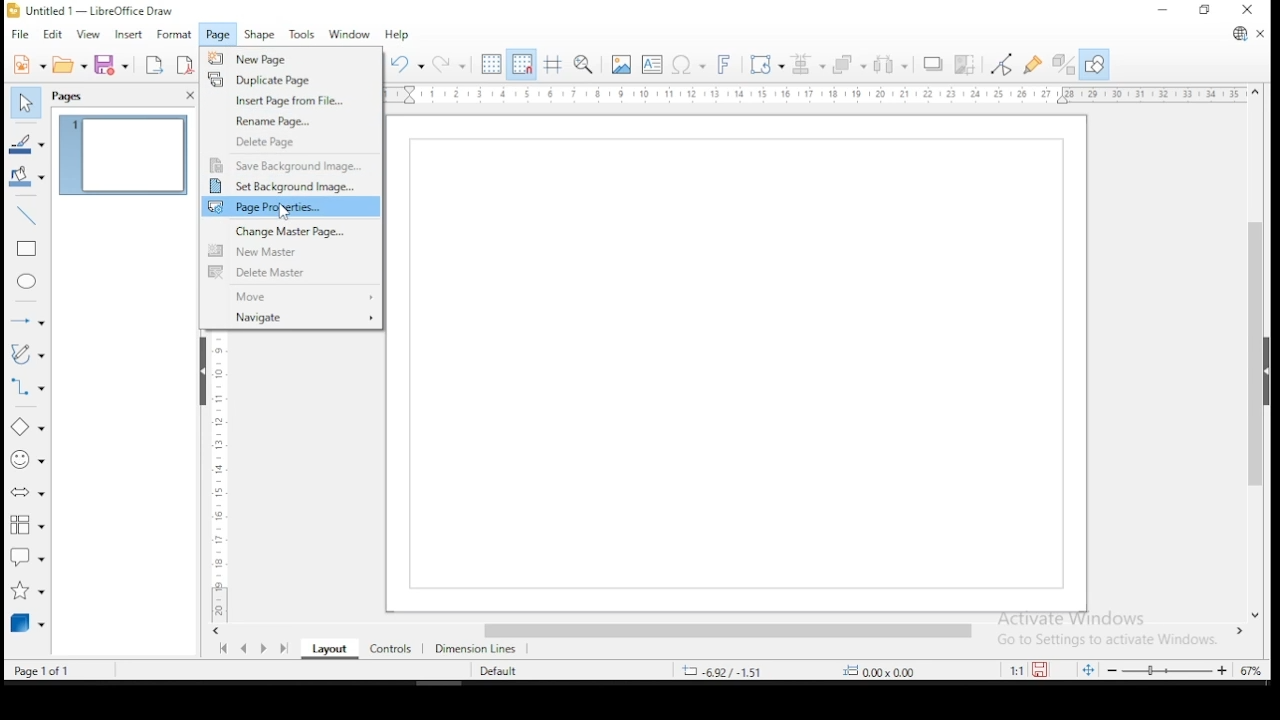  What do you see at coordinates (290, 318) in the screenshot?
I see `navigate` at bounding box center [290, 318].